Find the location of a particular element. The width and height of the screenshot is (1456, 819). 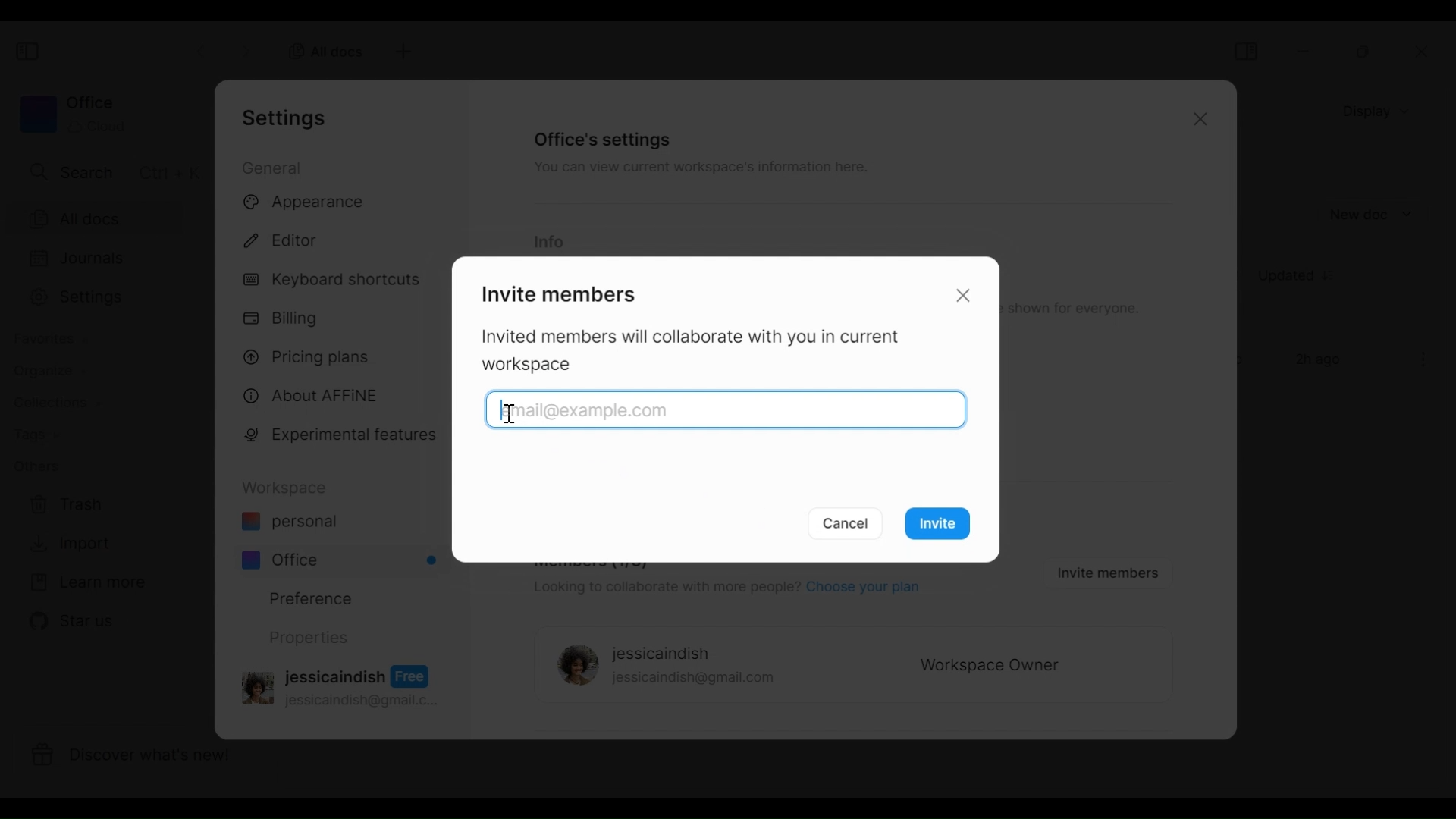

Show/Hide Sidebar is located at coordinates (1245, 51).